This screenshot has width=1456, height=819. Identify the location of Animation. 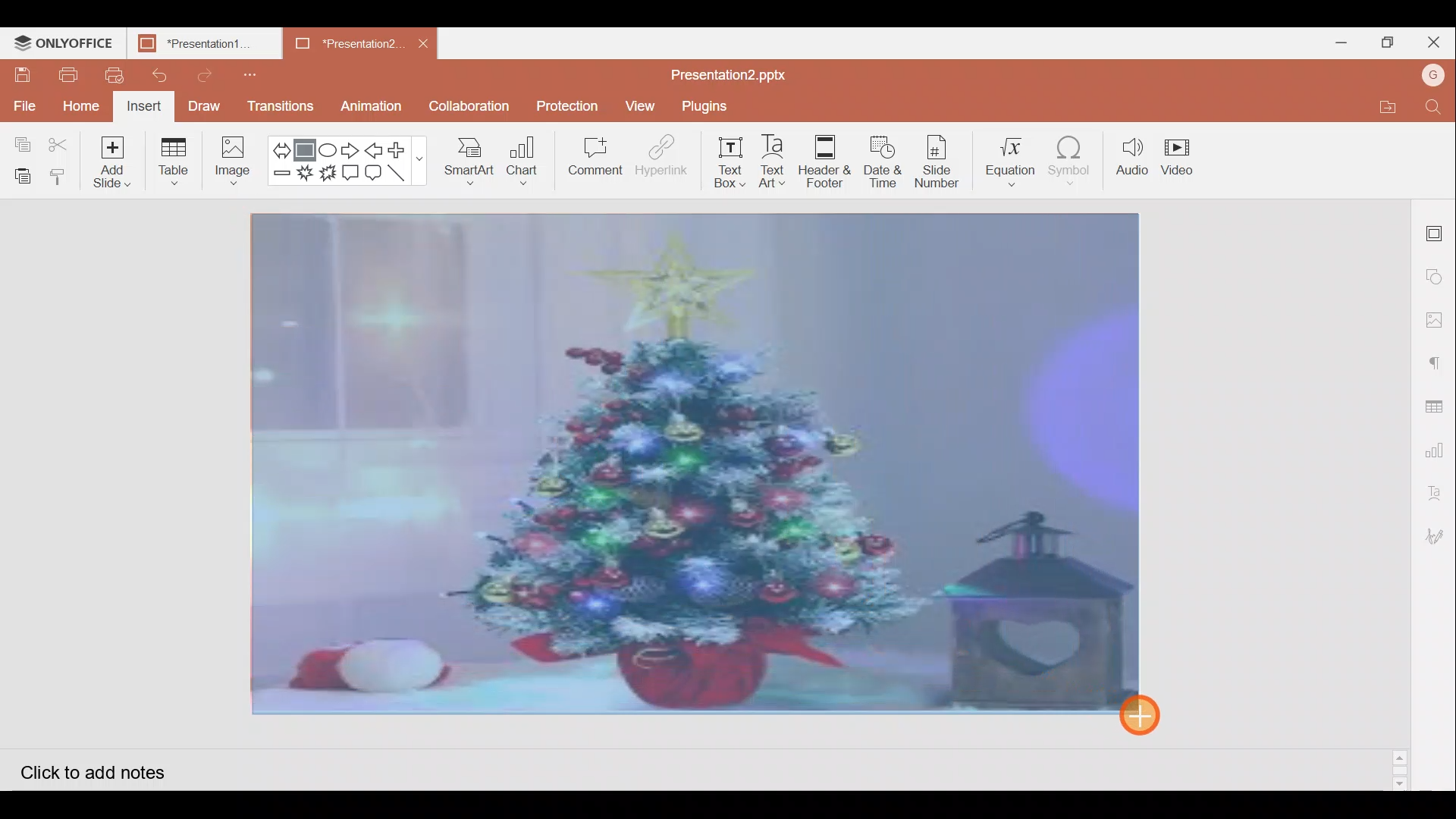
(377, 103).